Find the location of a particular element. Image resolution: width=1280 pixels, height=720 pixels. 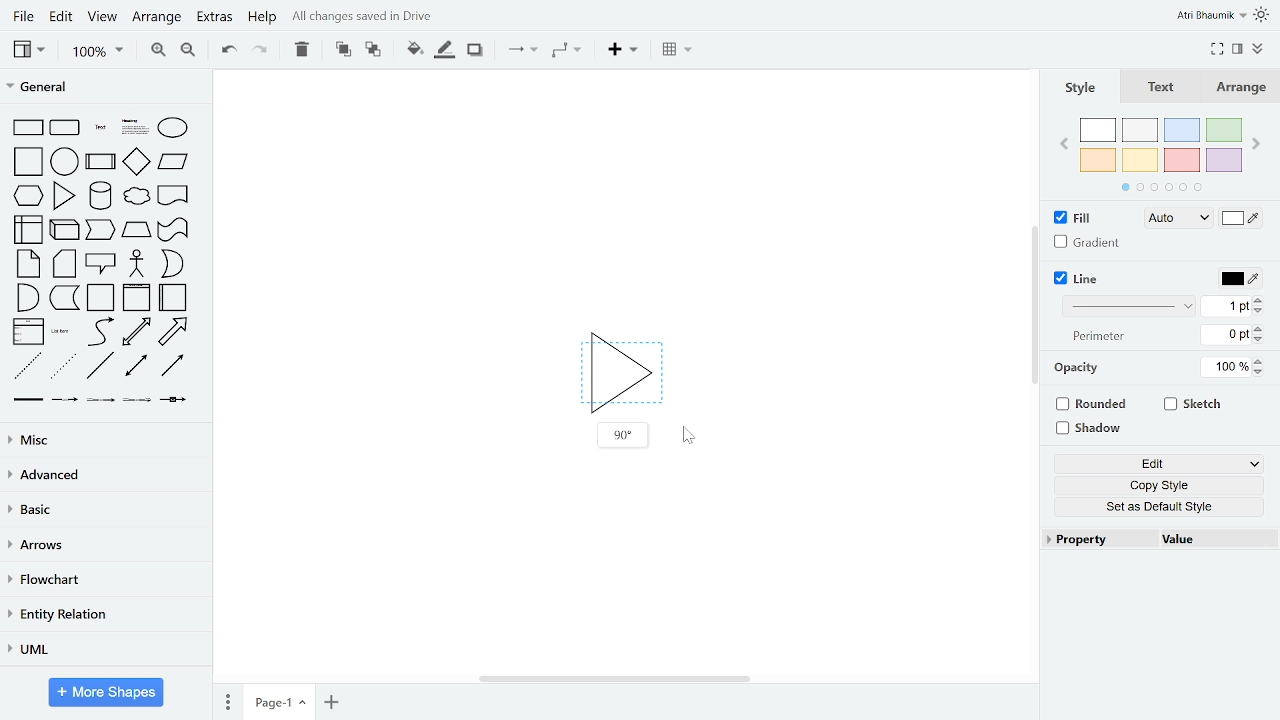

set as default style is located at coordinates (1160, 508).